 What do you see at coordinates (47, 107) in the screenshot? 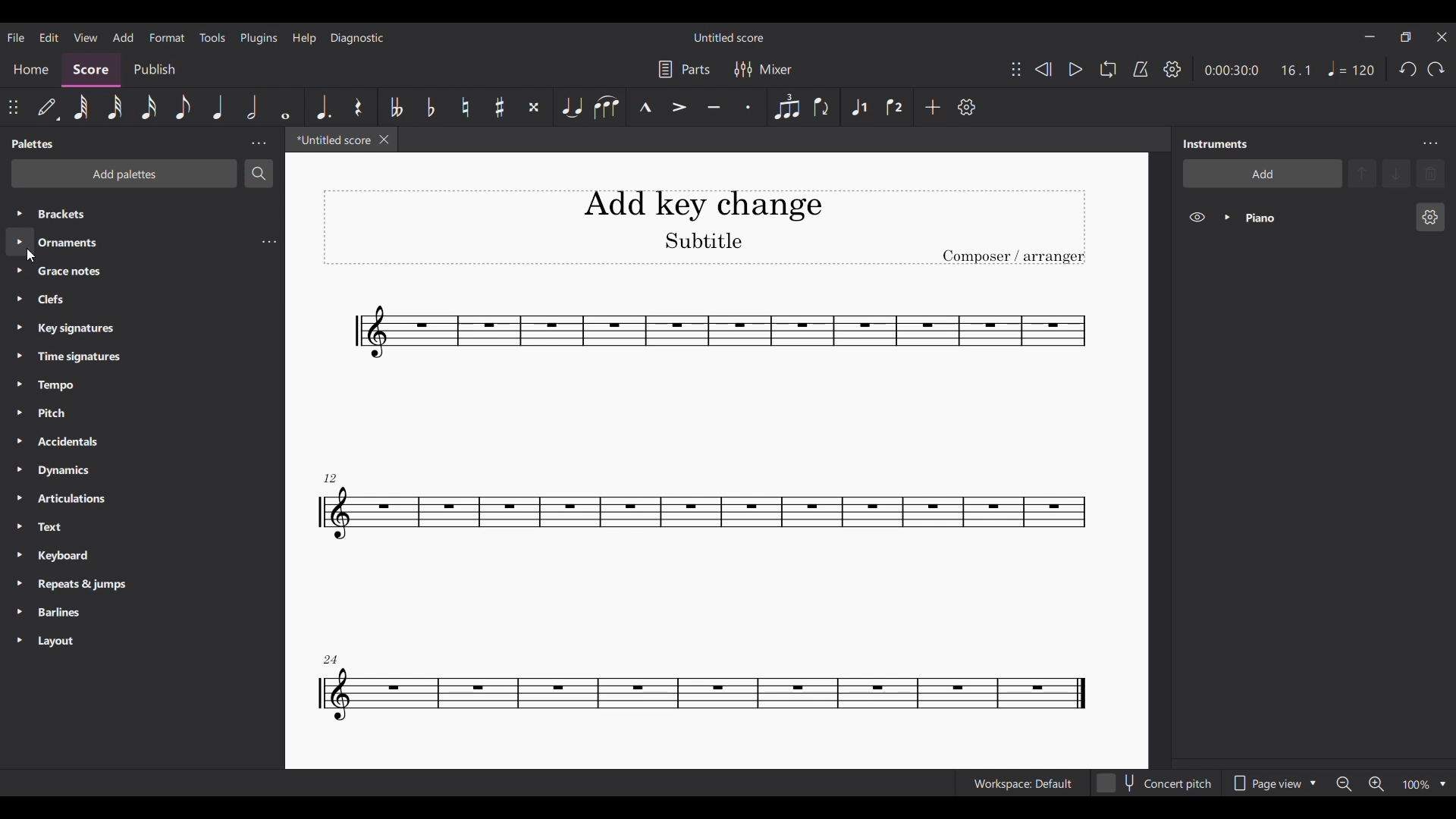
I see `default` at bounding box center [47, 107].